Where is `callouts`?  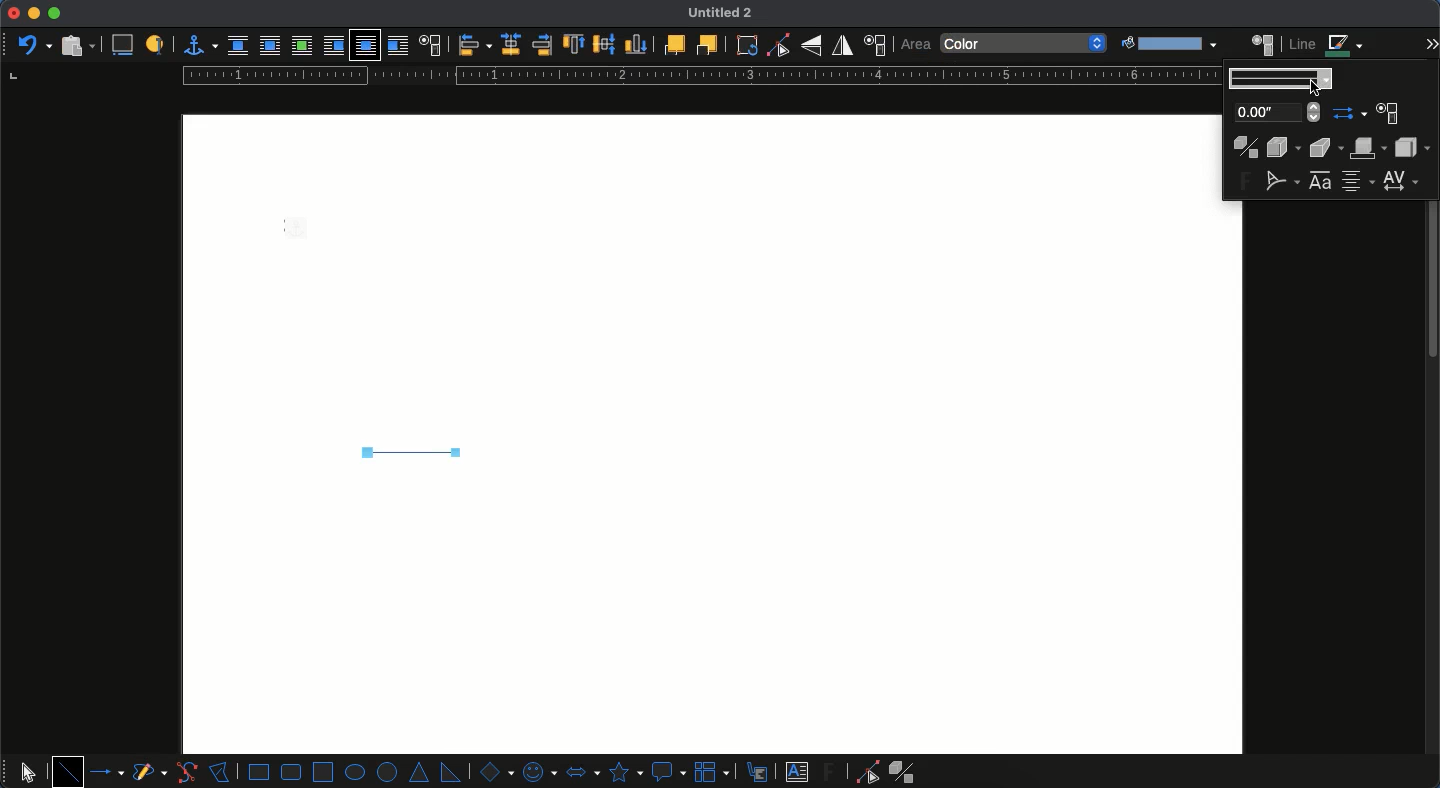
callouts is located at coordinates (759, 771).